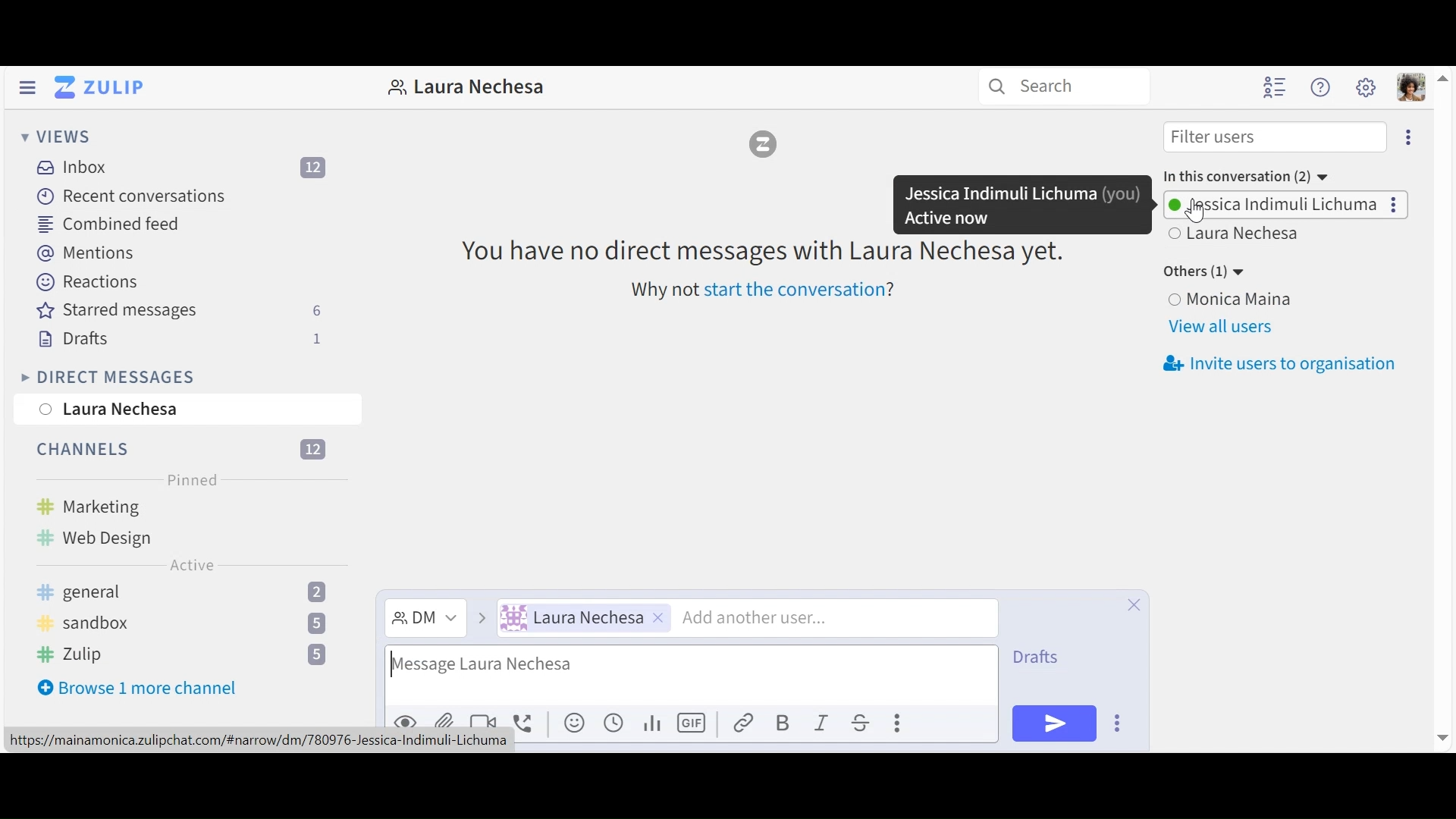 The height and width of the screenshot is (819, 1456). Describe the element at coordinates (766, 249) in the screenshot. I see `You have no direct messages with Laura Nechesa yet` at that location.